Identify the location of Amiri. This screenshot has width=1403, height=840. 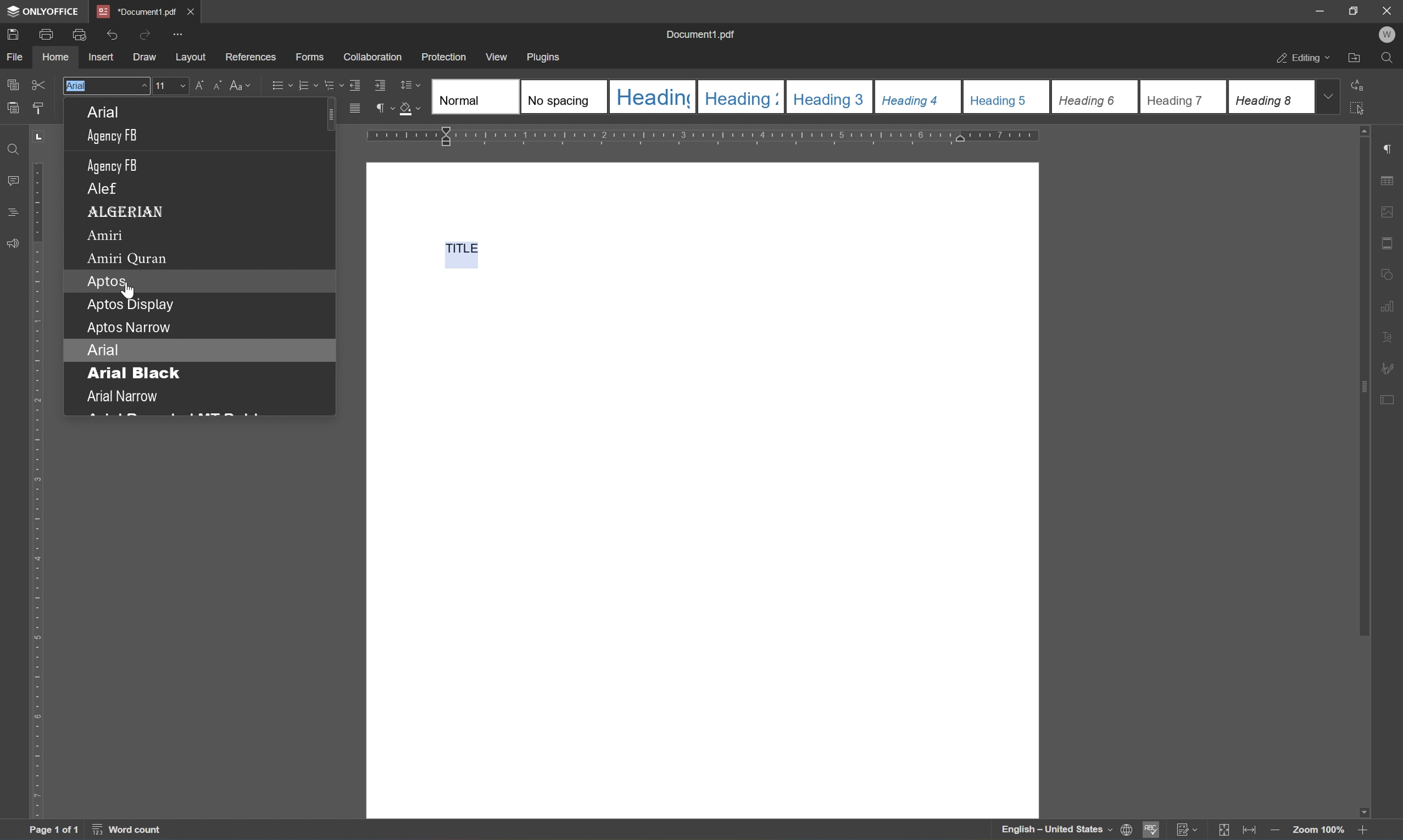
(118, 237).